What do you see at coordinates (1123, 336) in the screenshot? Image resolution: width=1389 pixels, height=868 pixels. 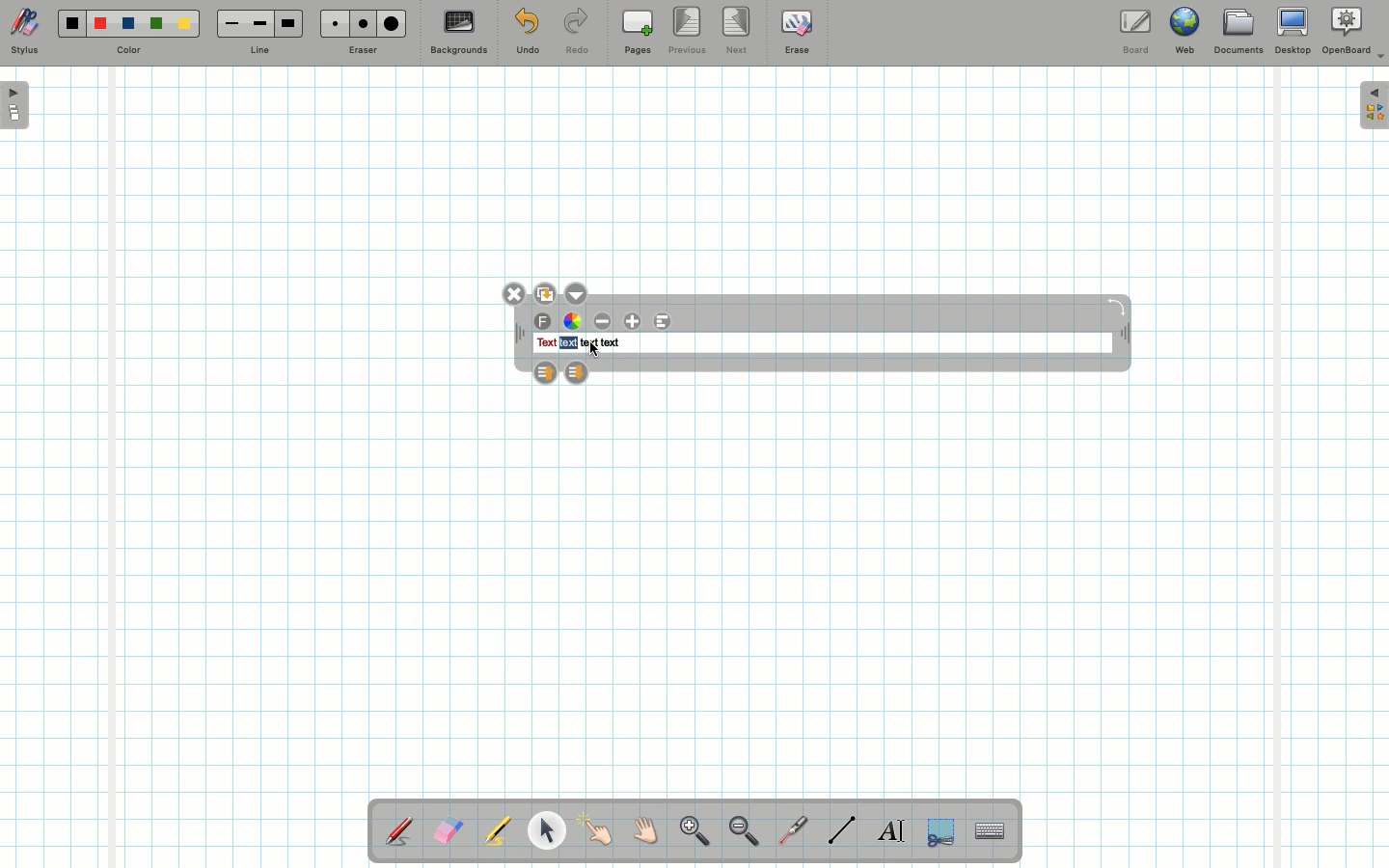 I see `Move` at bounding box center [1123, 336].